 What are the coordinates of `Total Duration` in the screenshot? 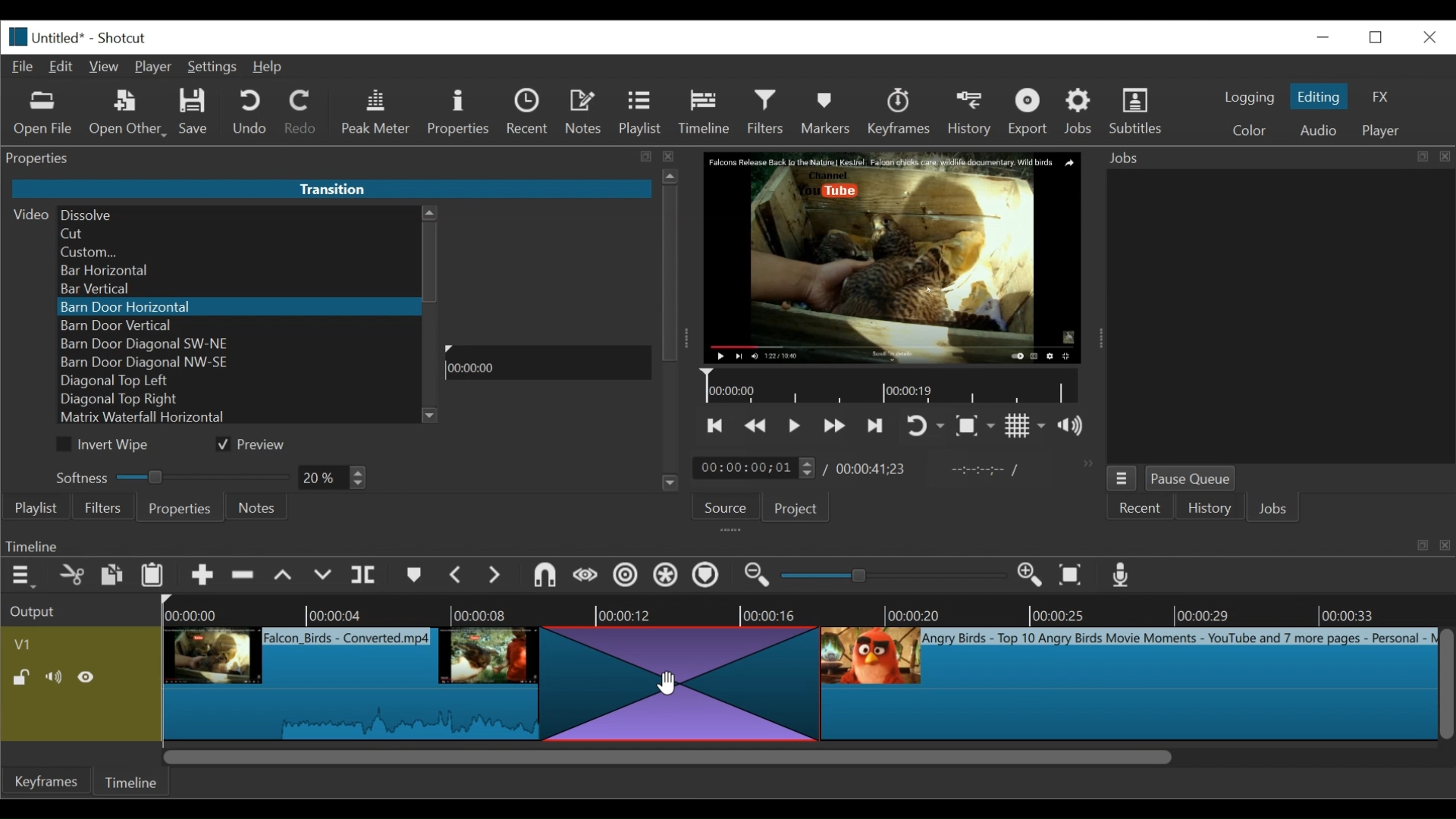 It's located at (872, 469).